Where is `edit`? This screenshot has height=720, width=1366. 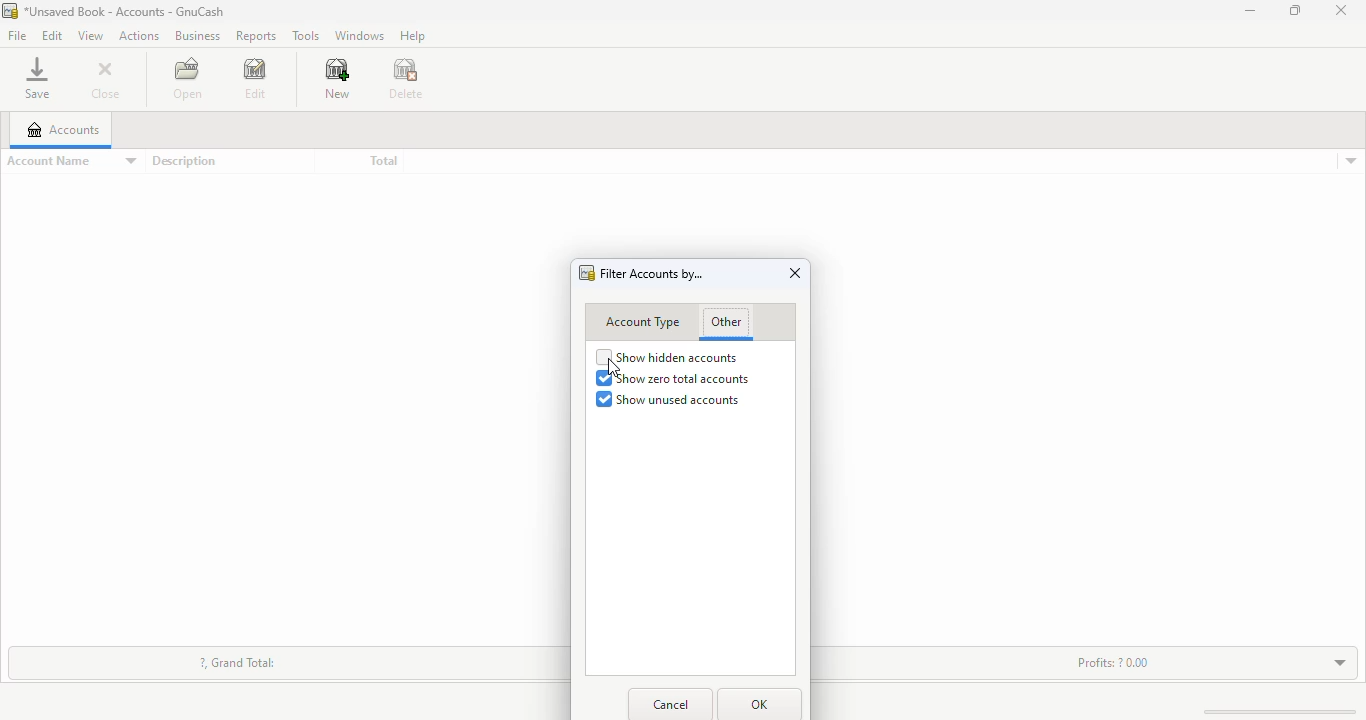 edit is located at coordinates (254, 80).